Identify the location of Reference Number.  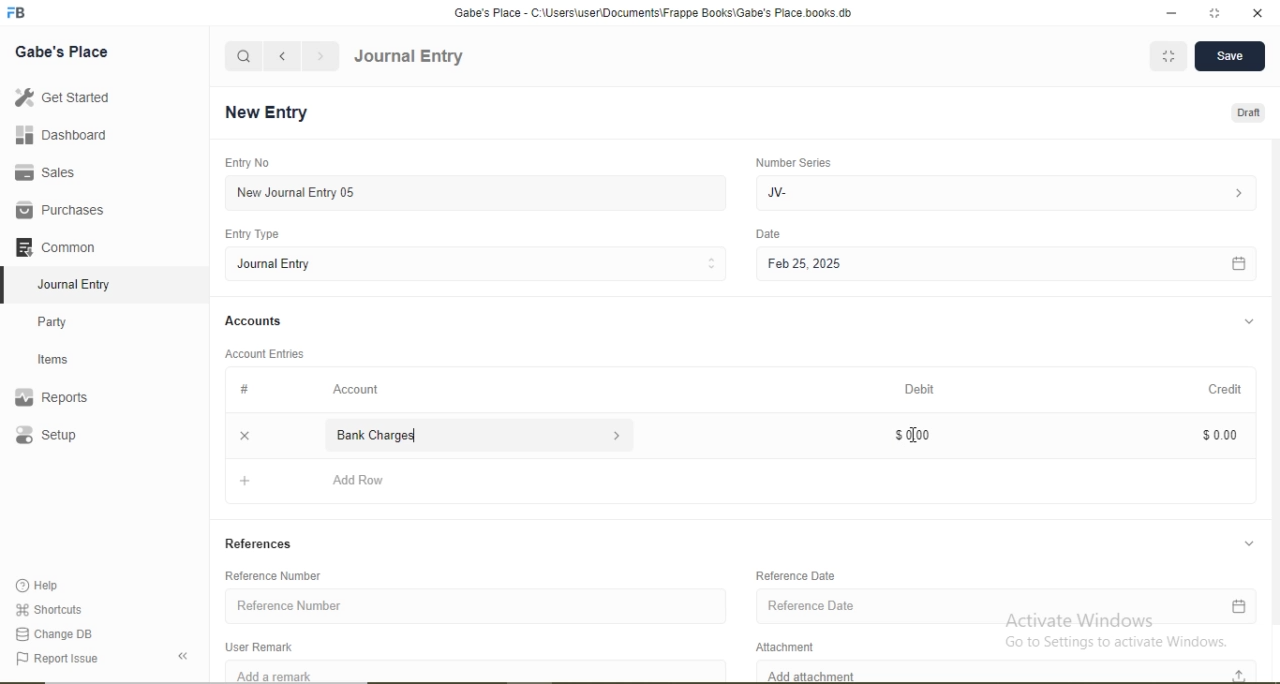
(476, 603).